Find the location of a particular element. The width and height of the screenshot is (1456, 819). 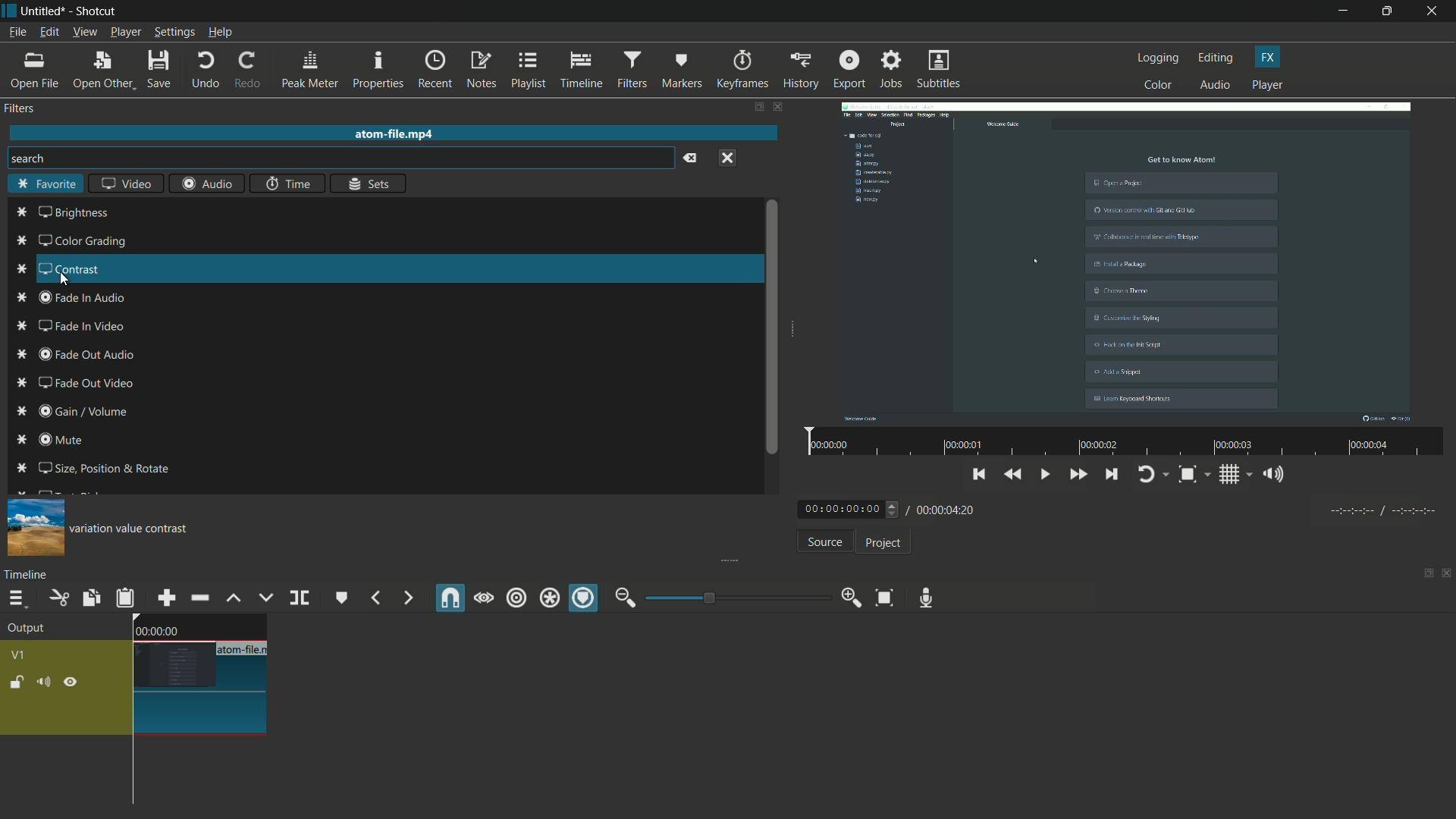

video time is located at coordinates (1122, 443).